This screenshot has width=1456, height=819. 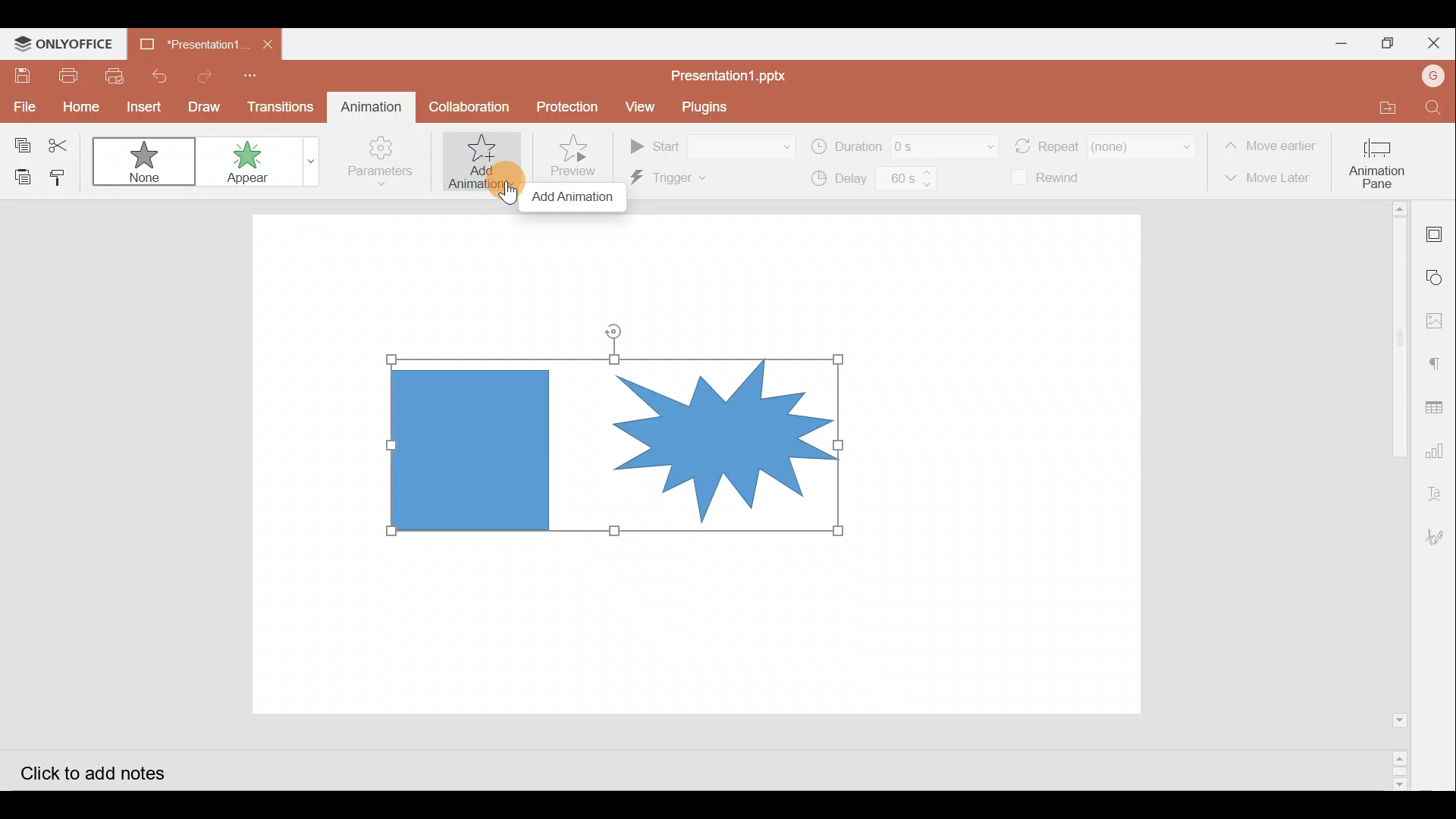 What do you see at coordinates (482, 162) in the screenshot?
I see `Add animation` at bounding box center [482, 162].